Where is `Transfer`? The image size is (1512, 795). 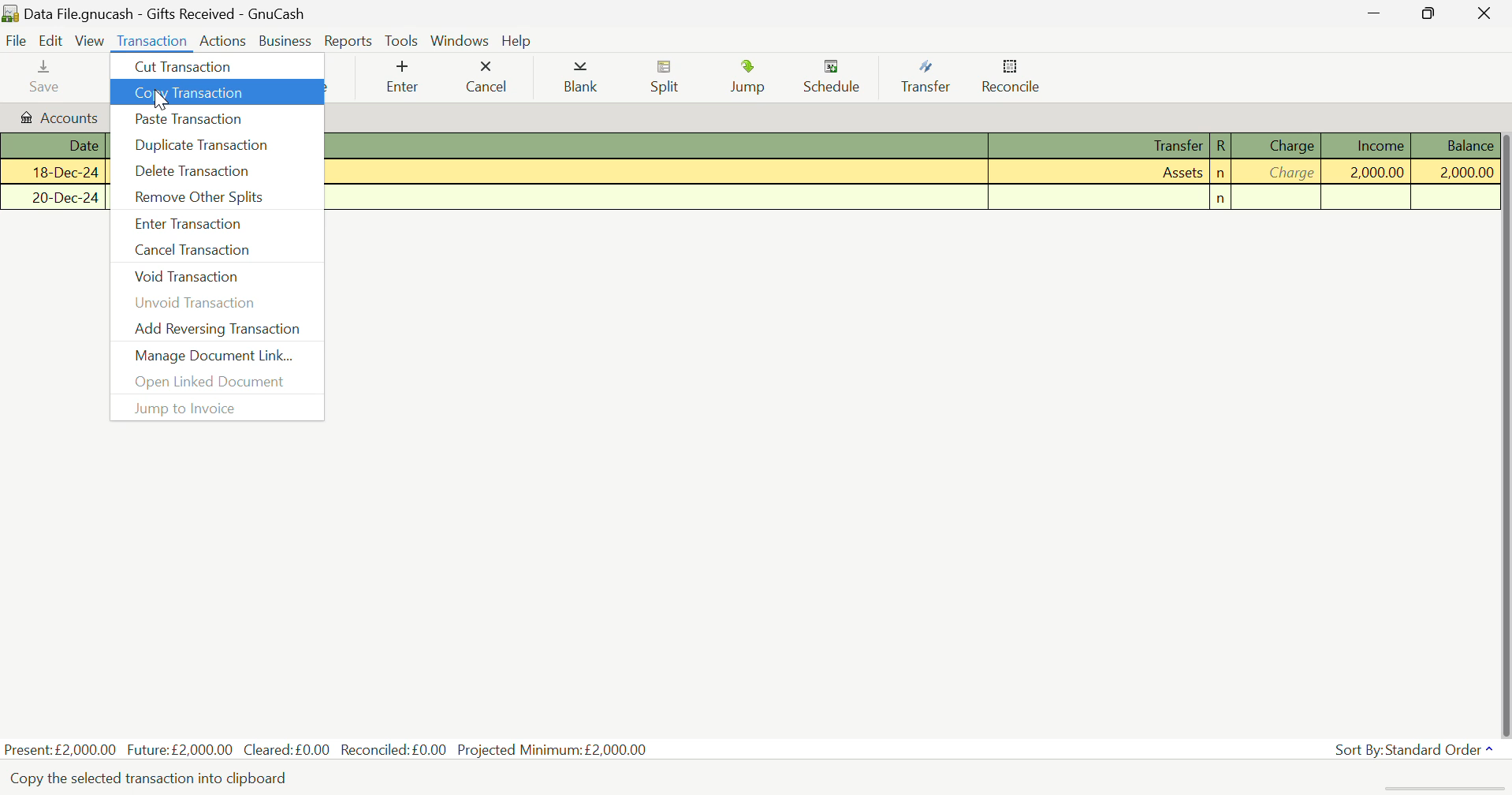
Transfer is located at coordinates (1103, 198).